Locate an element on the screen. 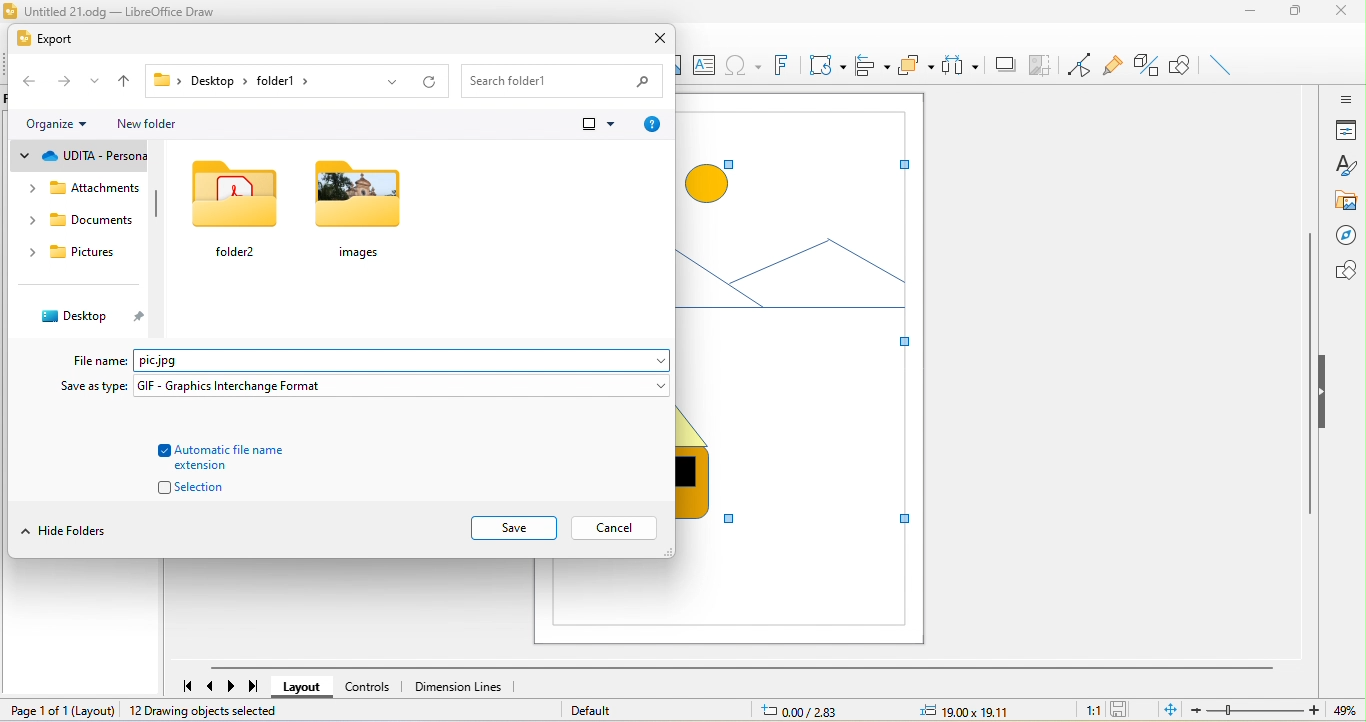 The image size is (1366, 722). 12 drawing objects selected is located at coordinates (208, 711).